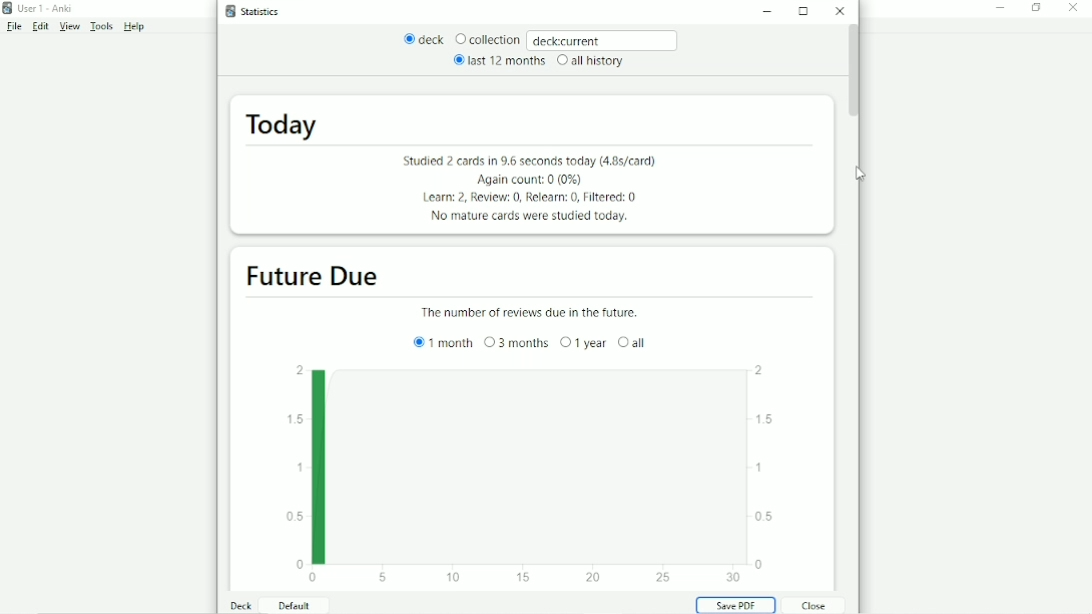  Describe the element at coordinates (41, 27) in the screenshot. I see `Edit` at that location.